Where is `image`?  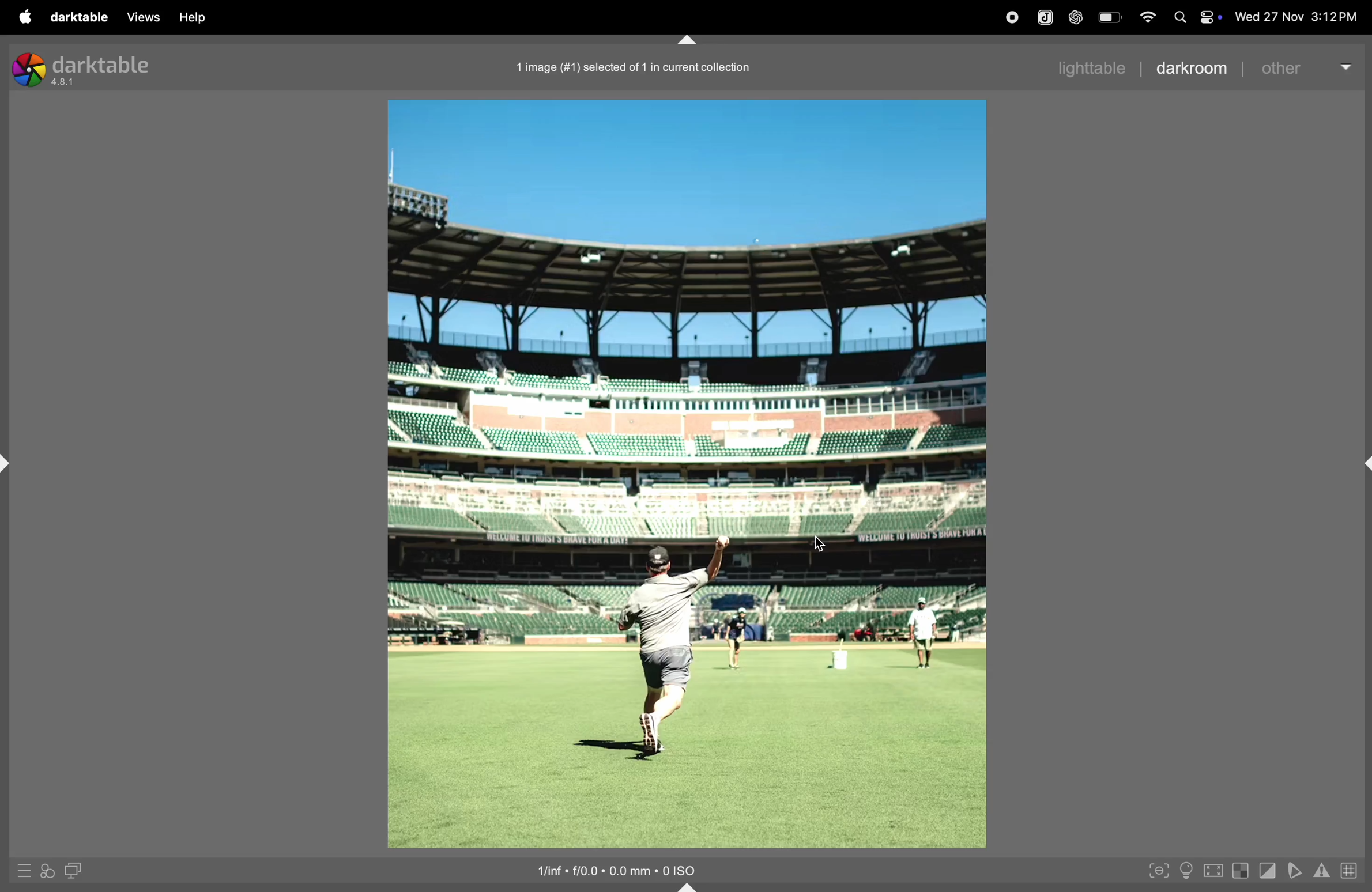
image is located at coordinates (688, 475).